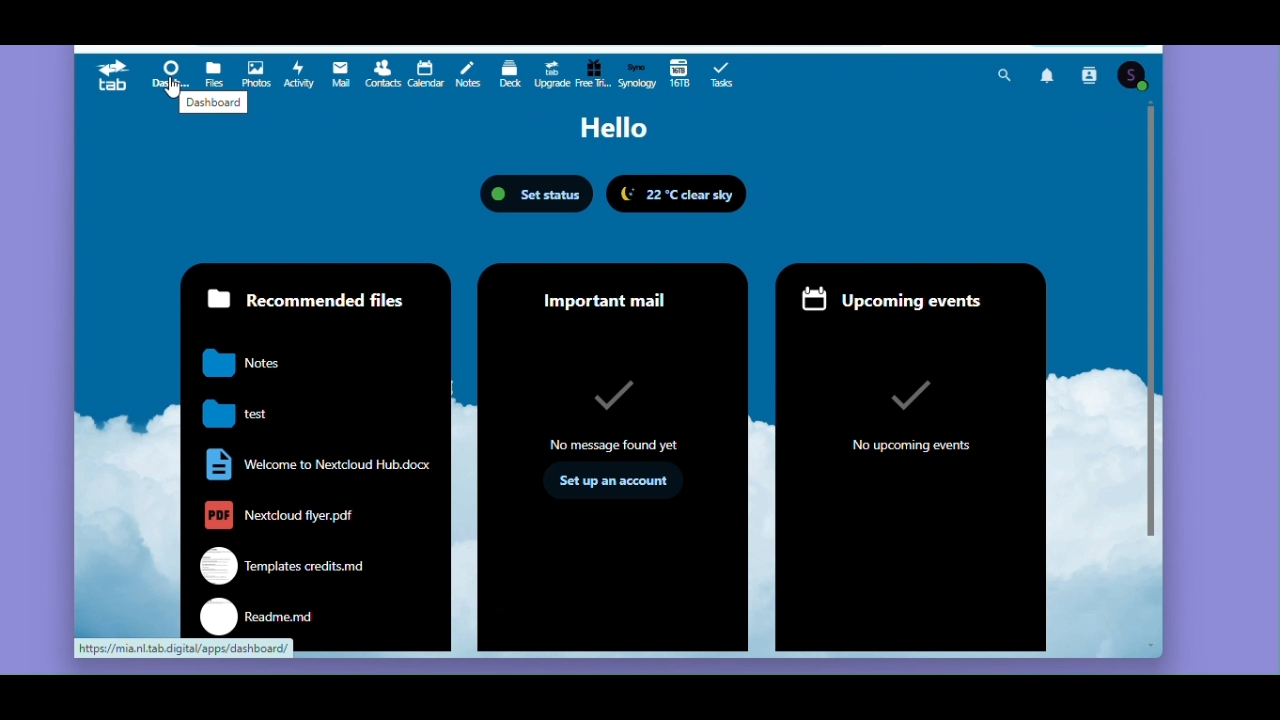  What do you see at coordinates (1048, 73) in the screenshot?
I see `Notifications` at bounding box center [1048, 73].